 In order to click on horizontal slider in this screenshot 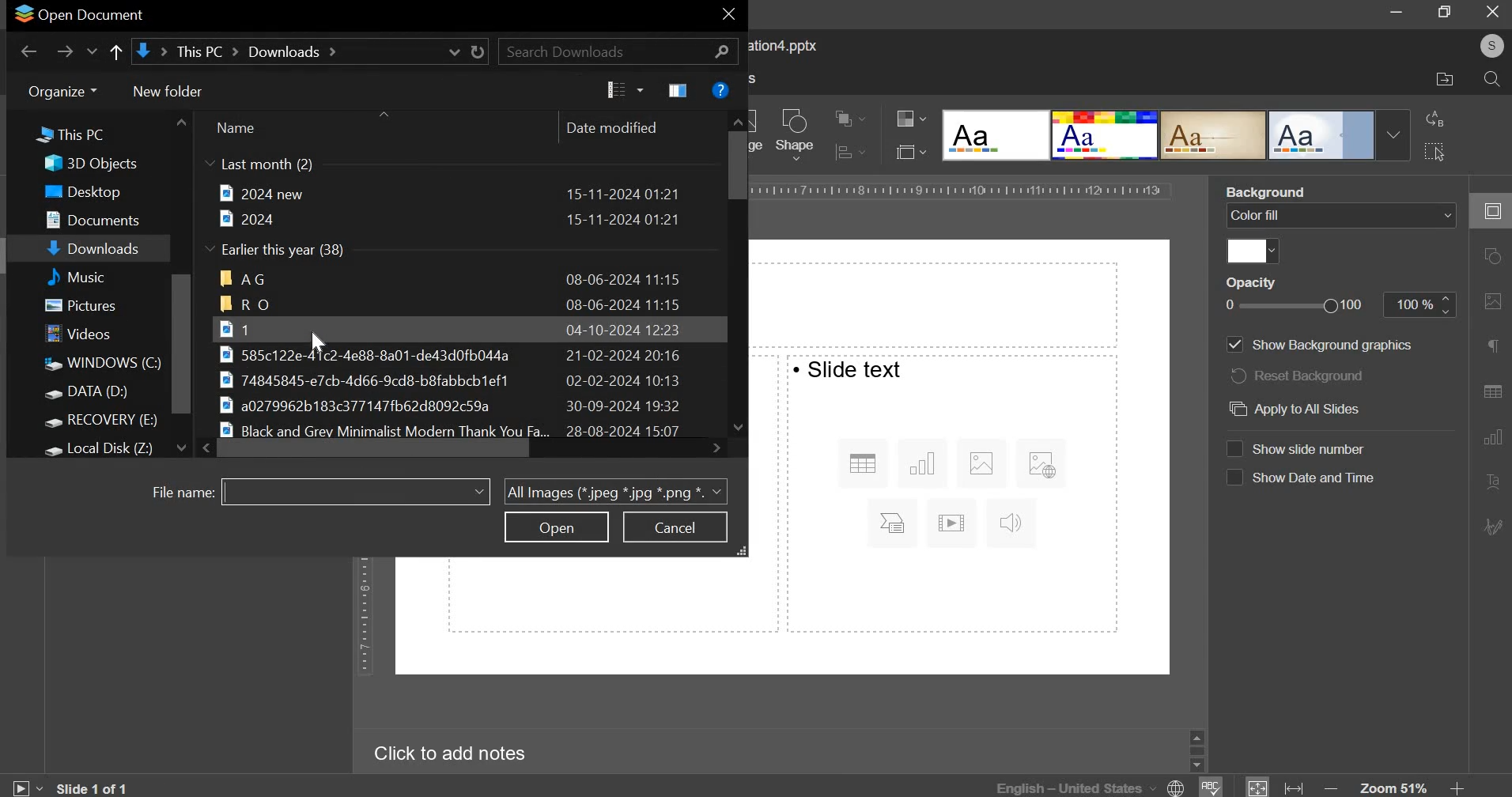, I will do `click(461, 449)`.